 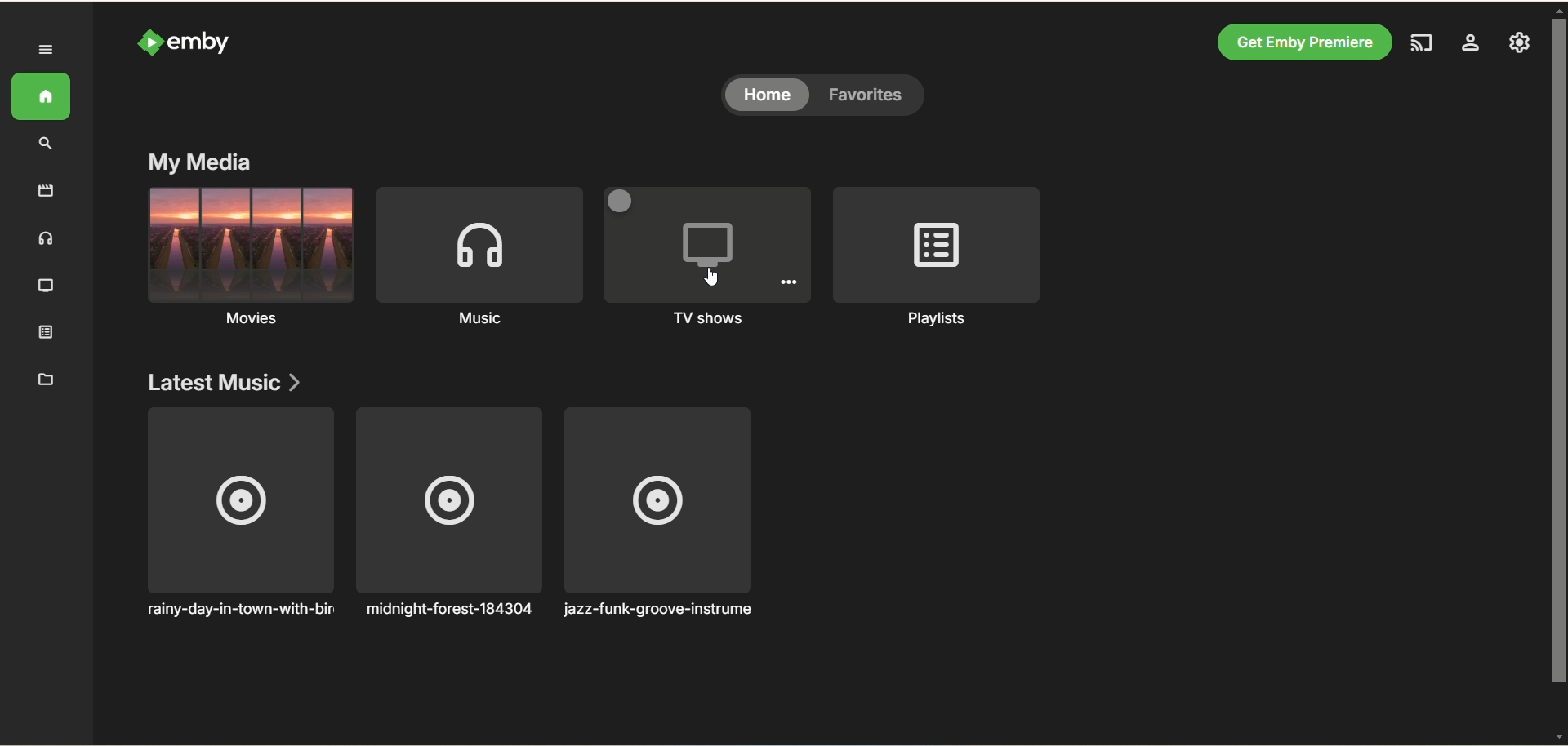 I want to click on movies, so click(x=248, y=261).